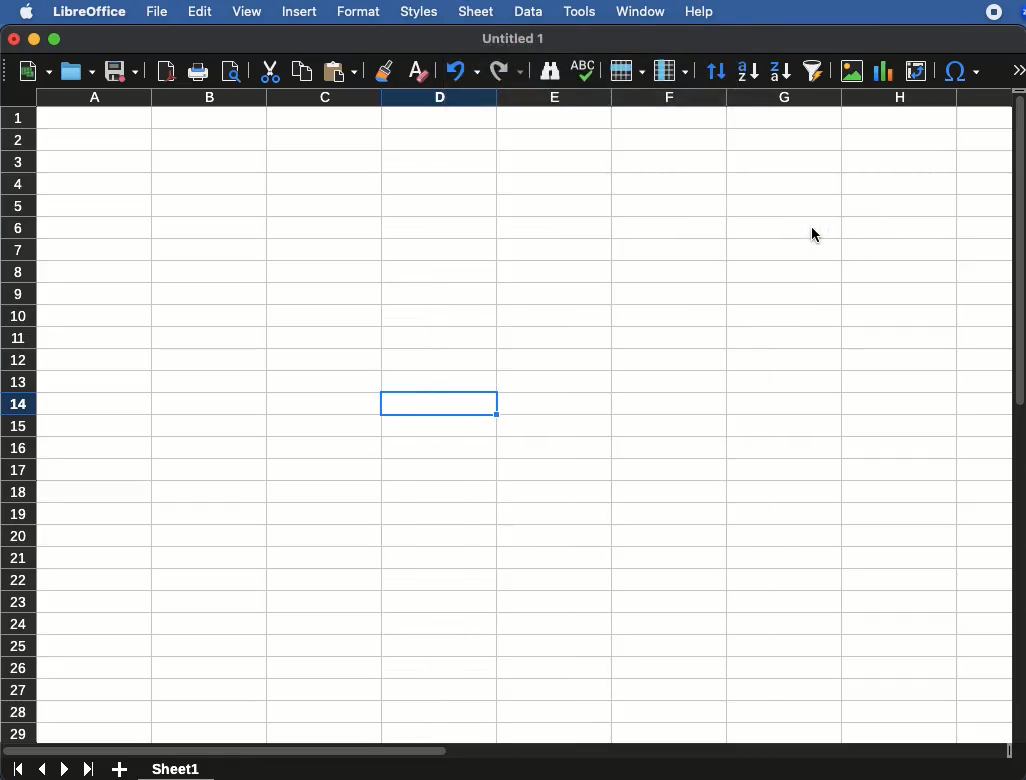 This screenshot has width=1026, height=780. I want to click on print preview, so click(230, 71).